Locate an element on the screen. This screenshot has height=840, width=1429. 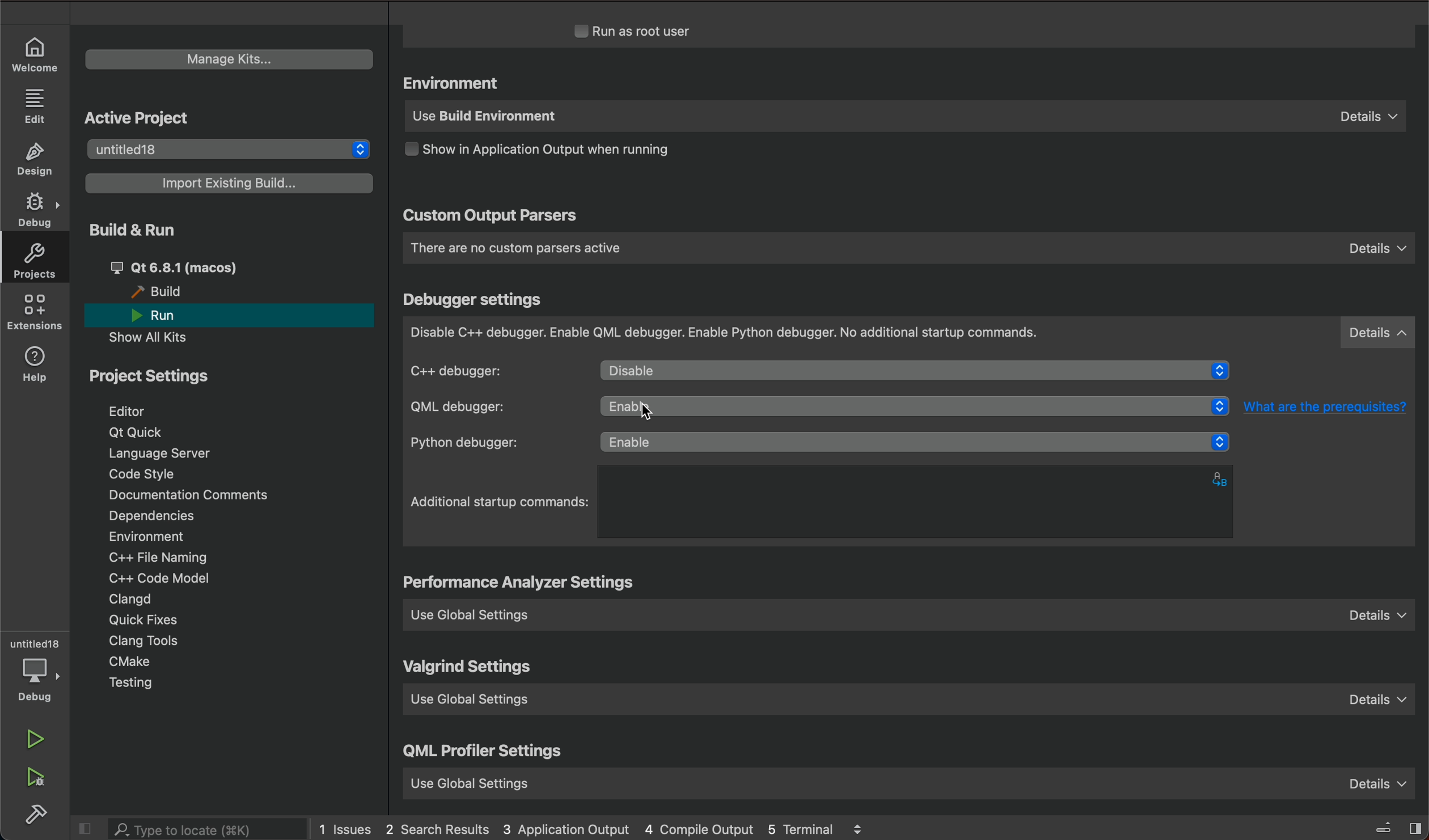
qml  is located at coordinates (484, 754).